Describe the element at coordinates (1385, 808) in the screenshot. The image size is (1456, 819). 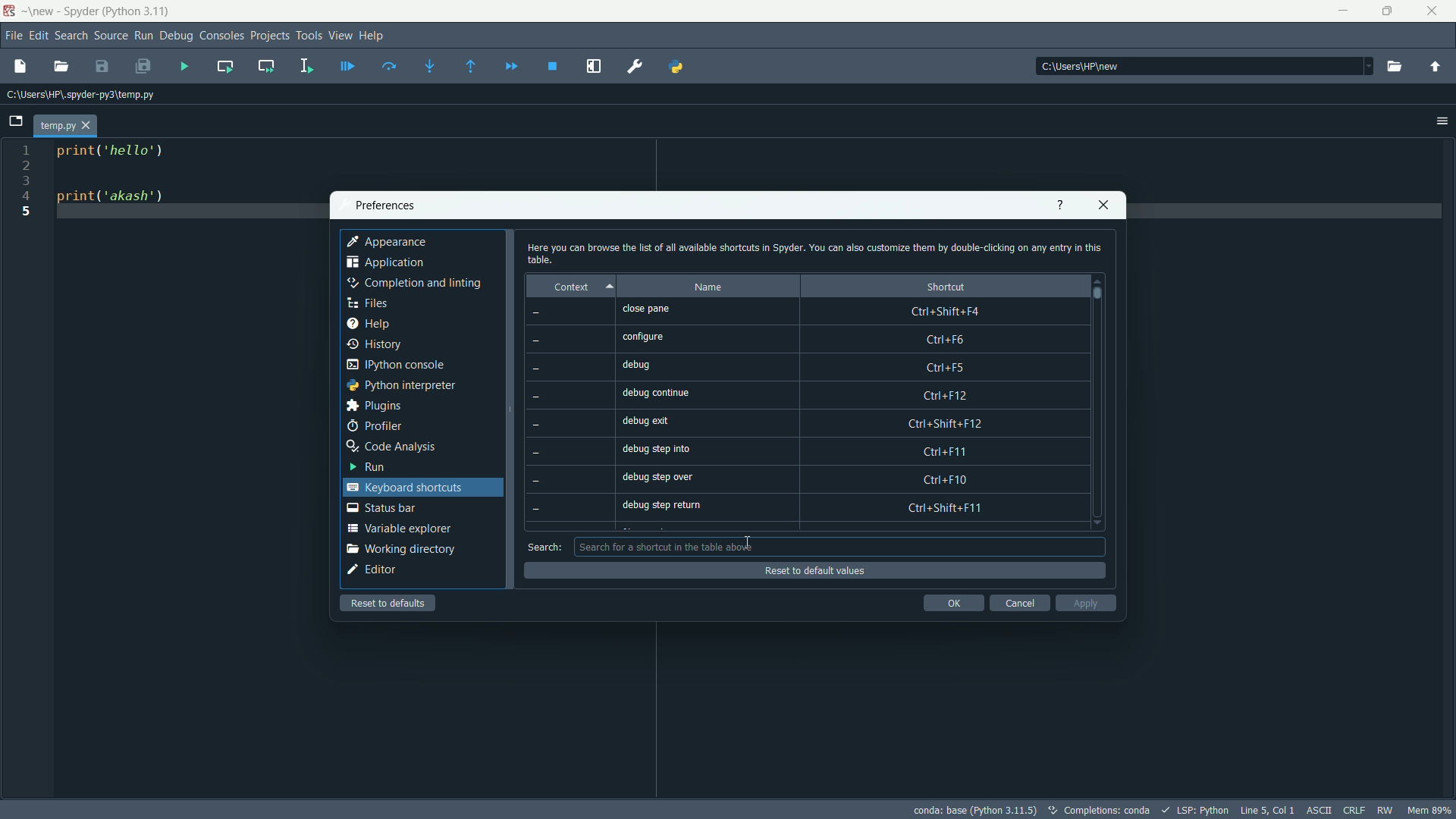
I see `RW` at that location.